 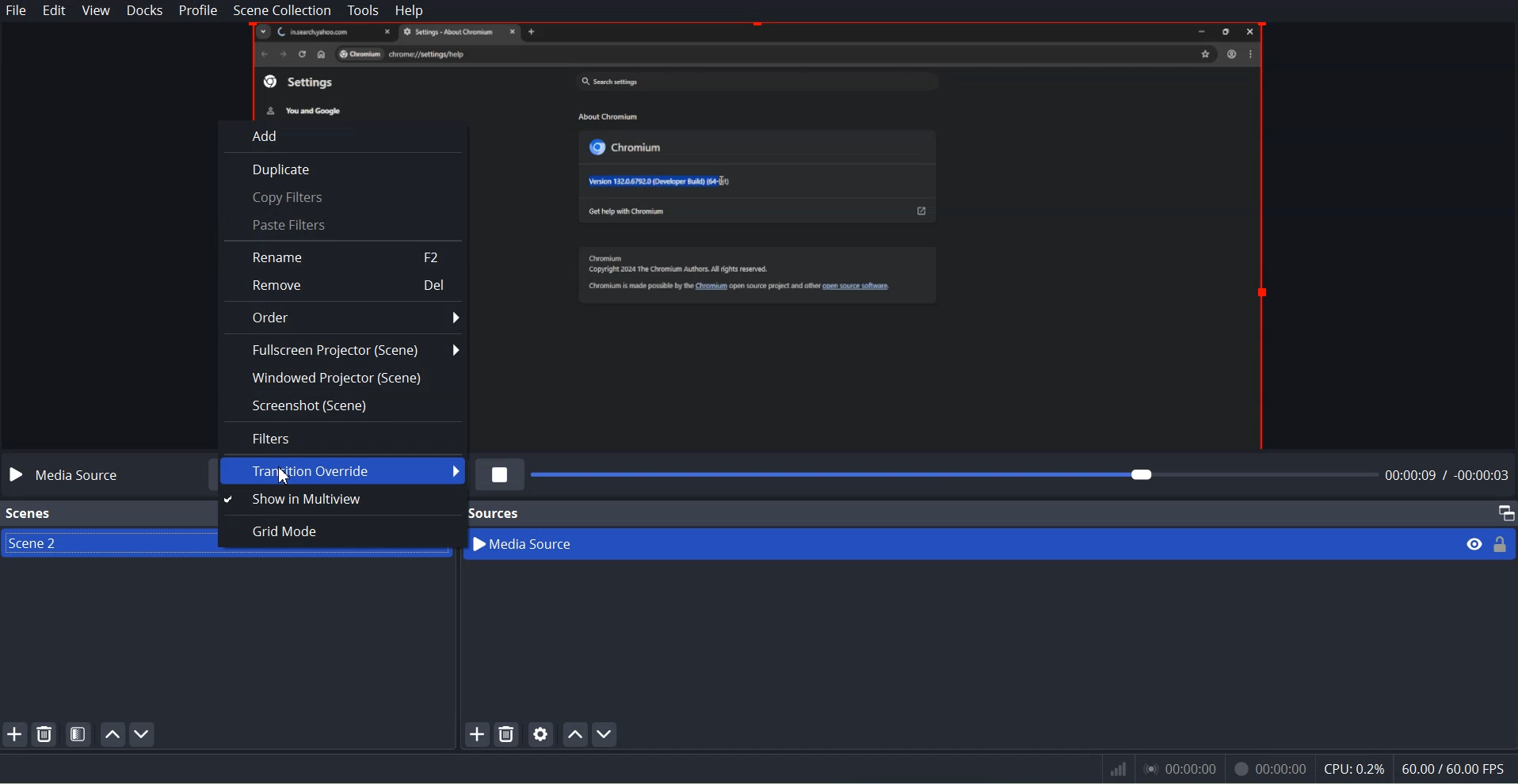 I want to click on File Preview window, so click(x=875, y=235).